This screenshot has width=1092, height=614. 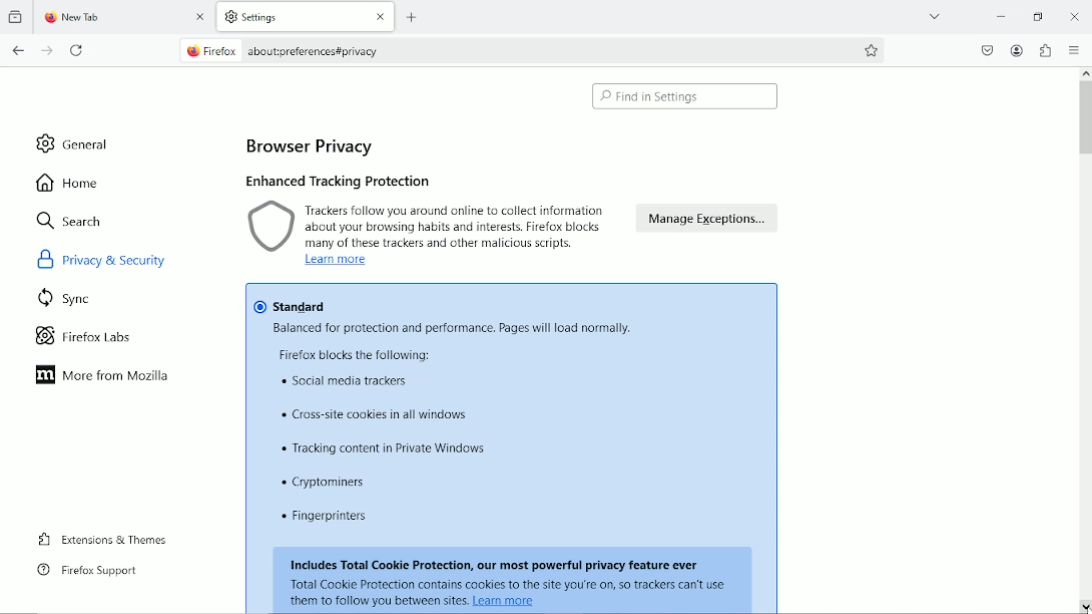 I want to click on firefox labs, so click(x=84, y=334).